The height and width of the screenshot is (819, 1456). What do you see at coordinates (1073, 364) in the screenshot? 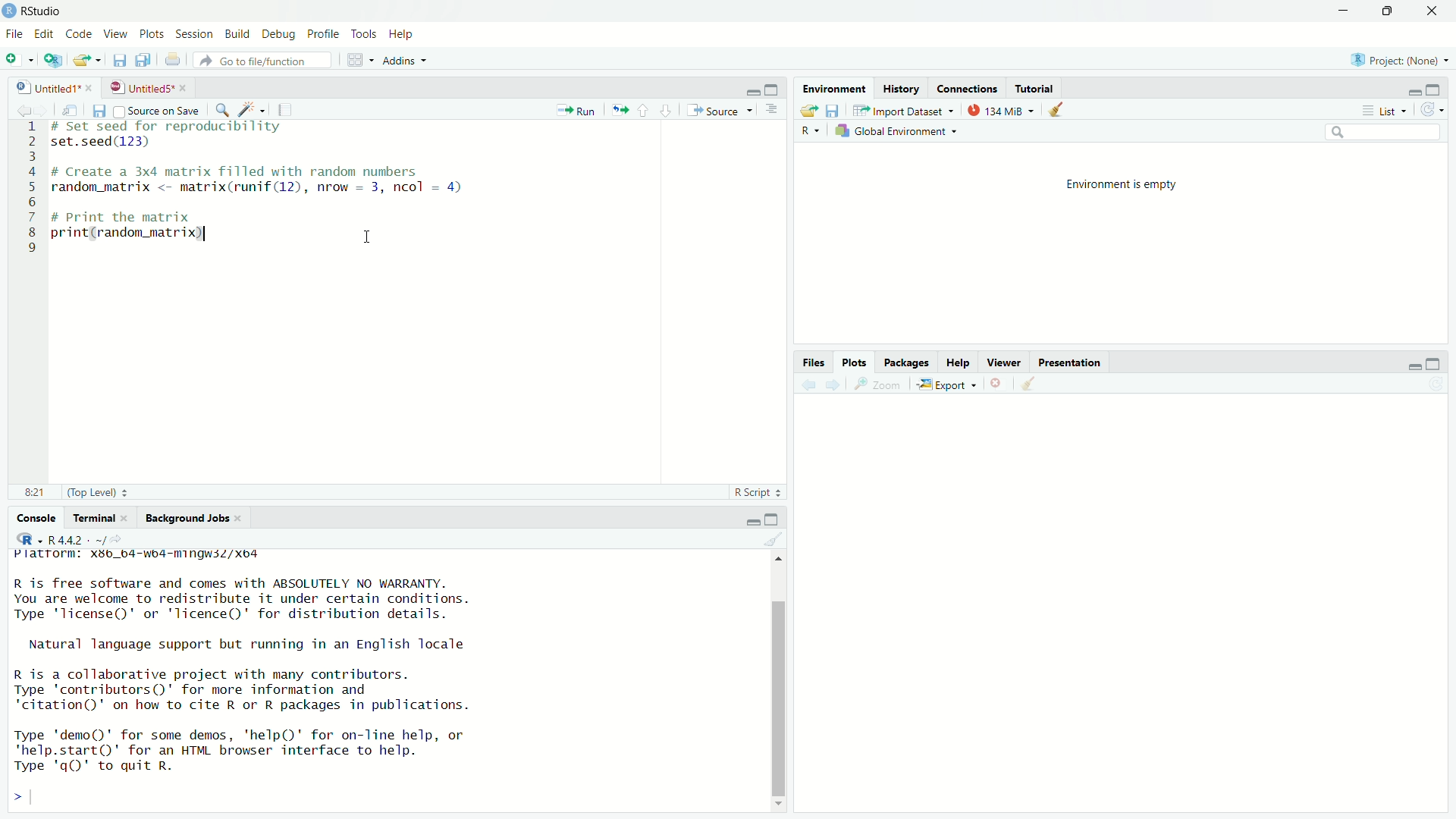
I see `Presentation` at bounding box center [1073, 364].